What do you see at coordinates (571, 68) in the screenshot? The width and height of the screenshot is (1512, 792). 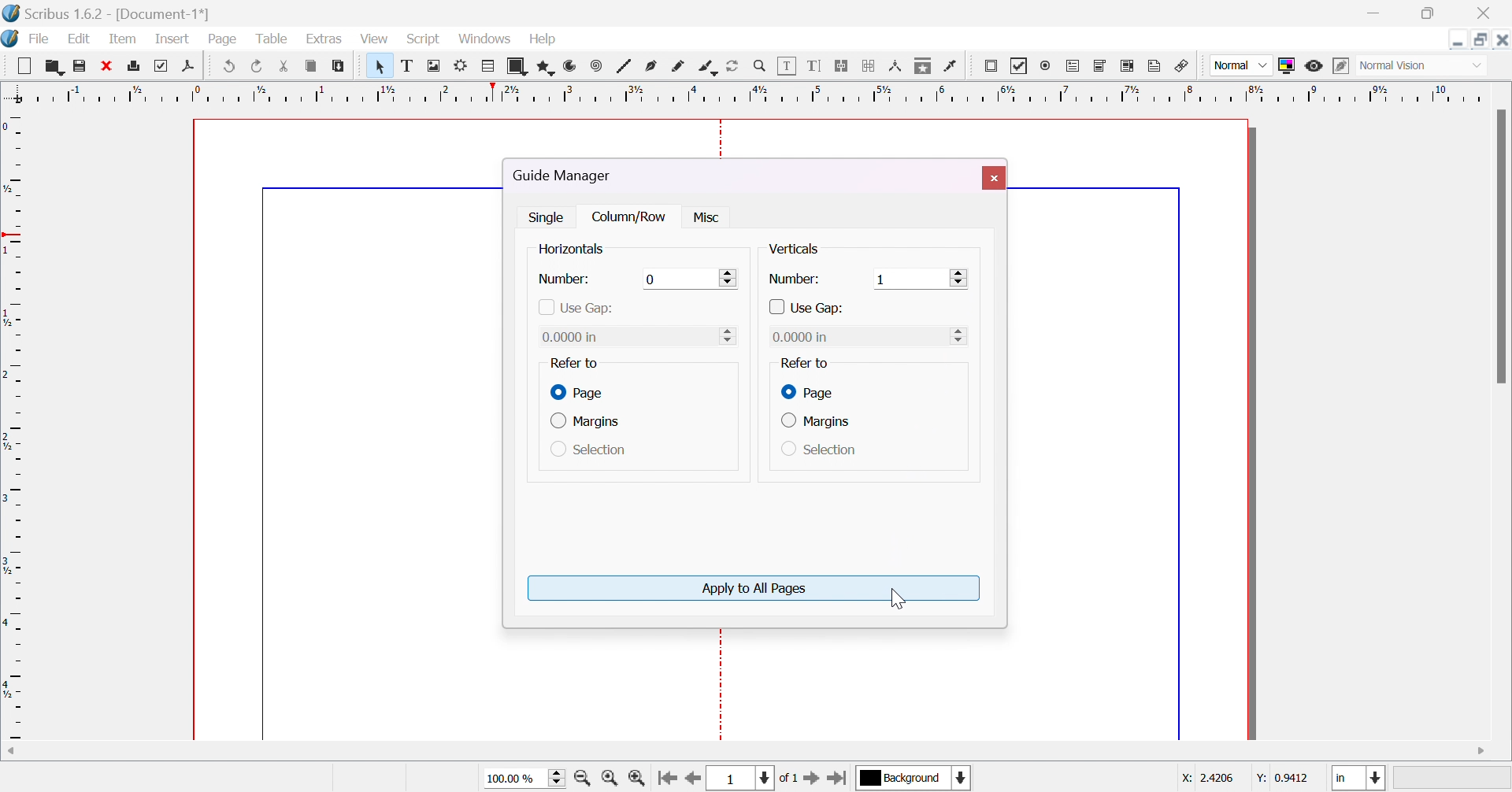 I see `arc` at bounding box center [571, 68].